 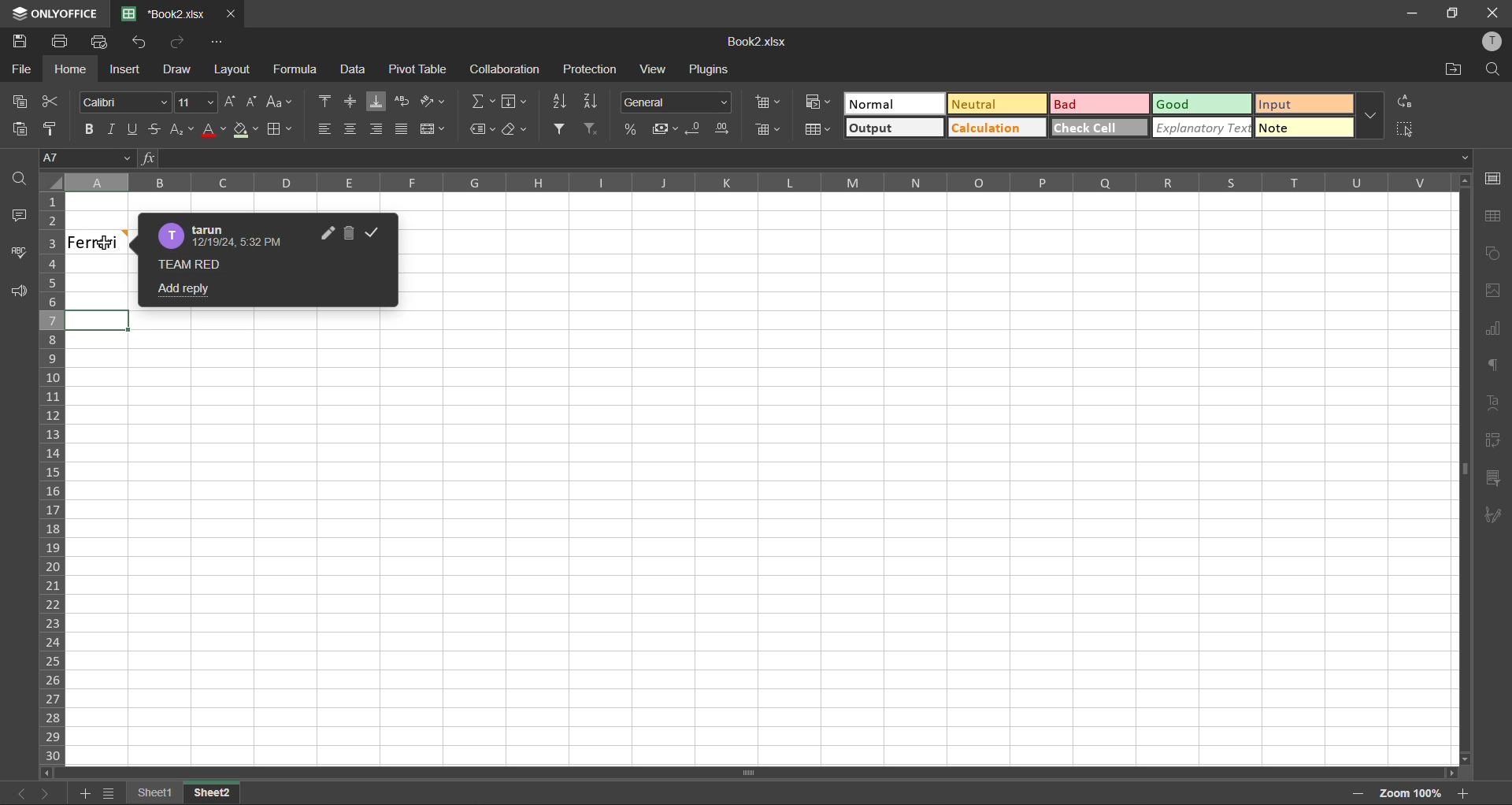 I want to click on font style, so click(x=124, y=103).